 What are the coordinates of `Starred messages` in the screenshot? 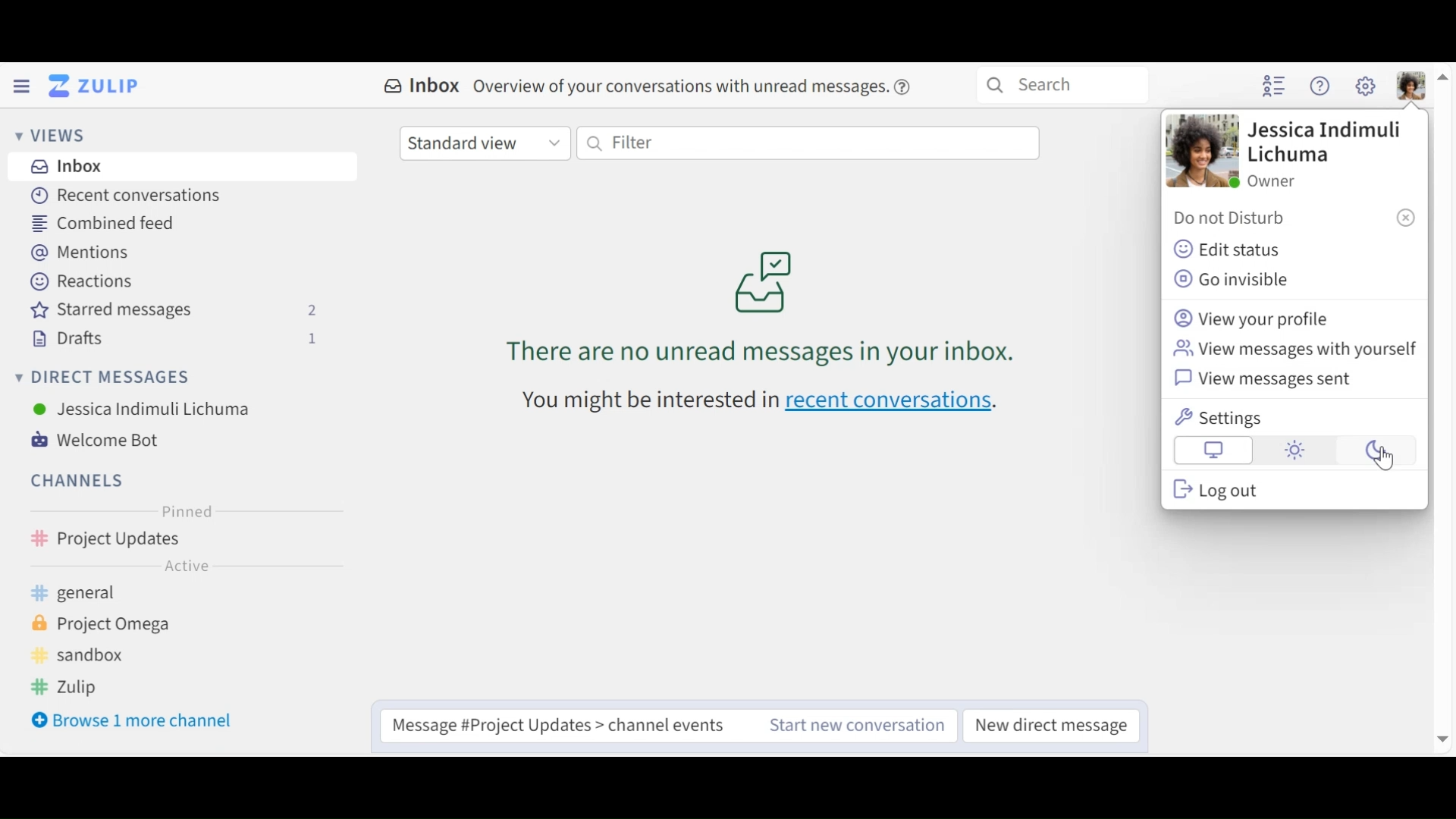 It's located at (178, 312).